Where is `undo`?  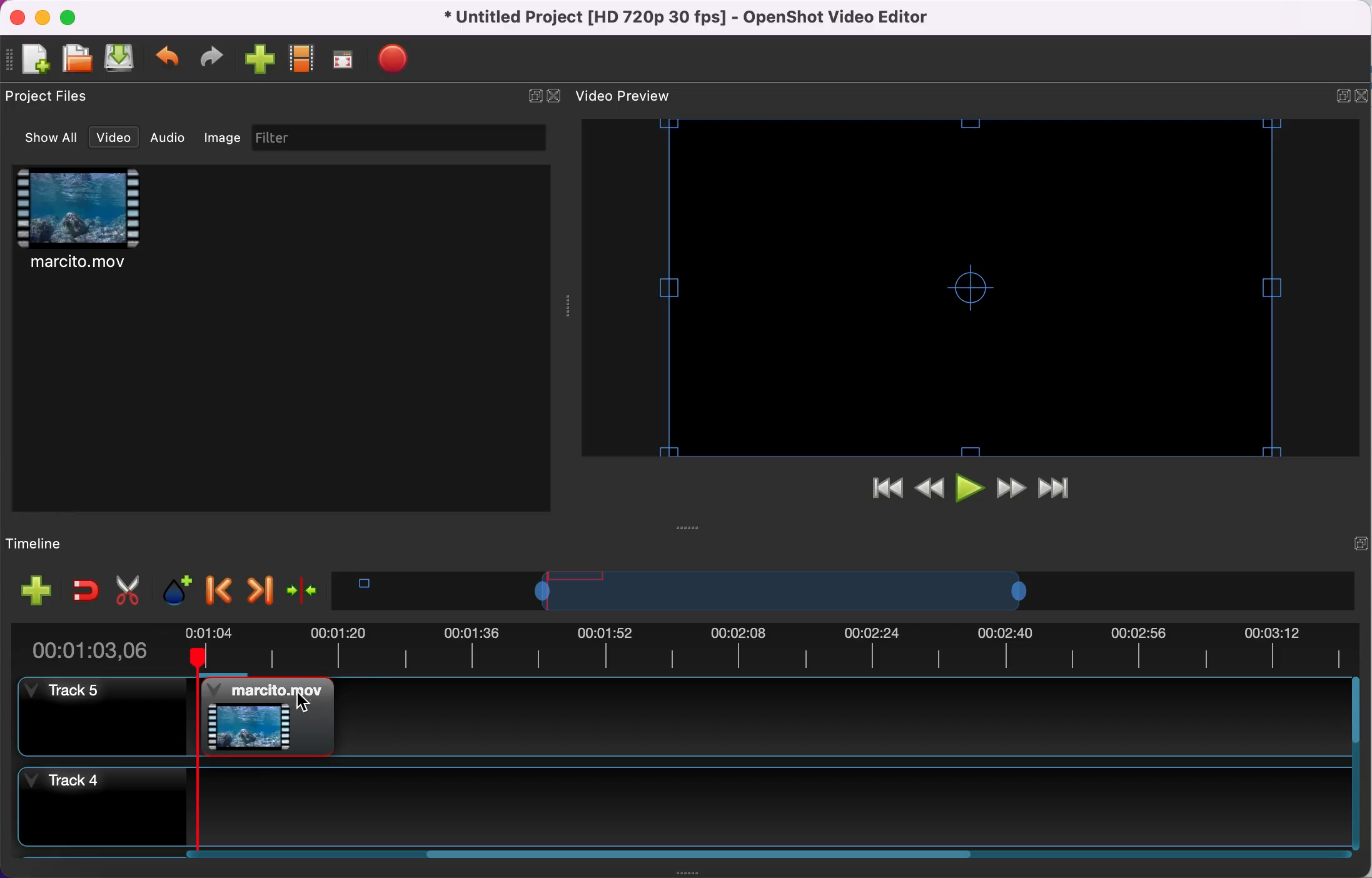 undo is located at coordinates (164, 58).